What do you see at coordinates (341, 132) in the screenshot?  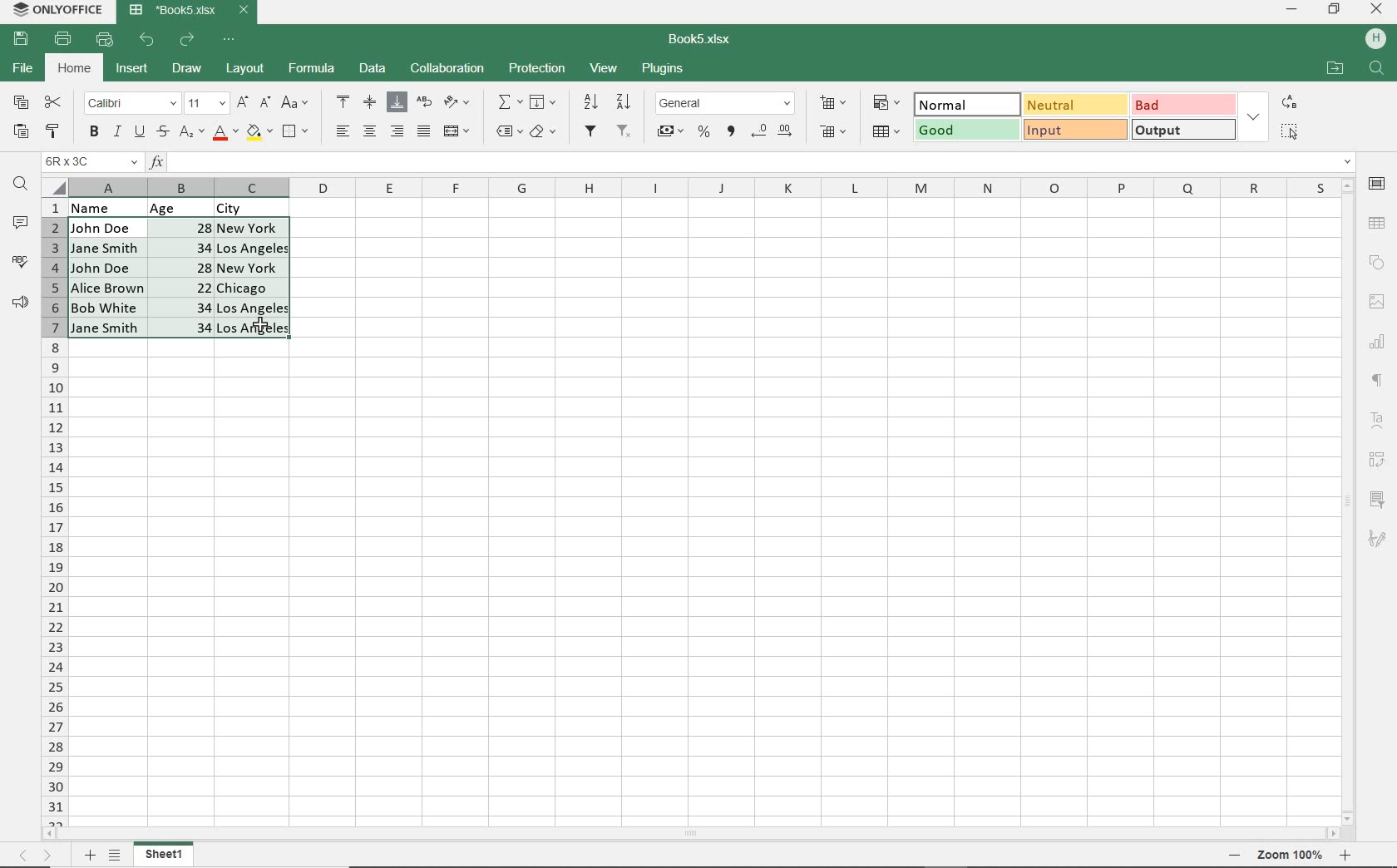 I see `ALIGN LEFT` at bounding box center [341, 132].